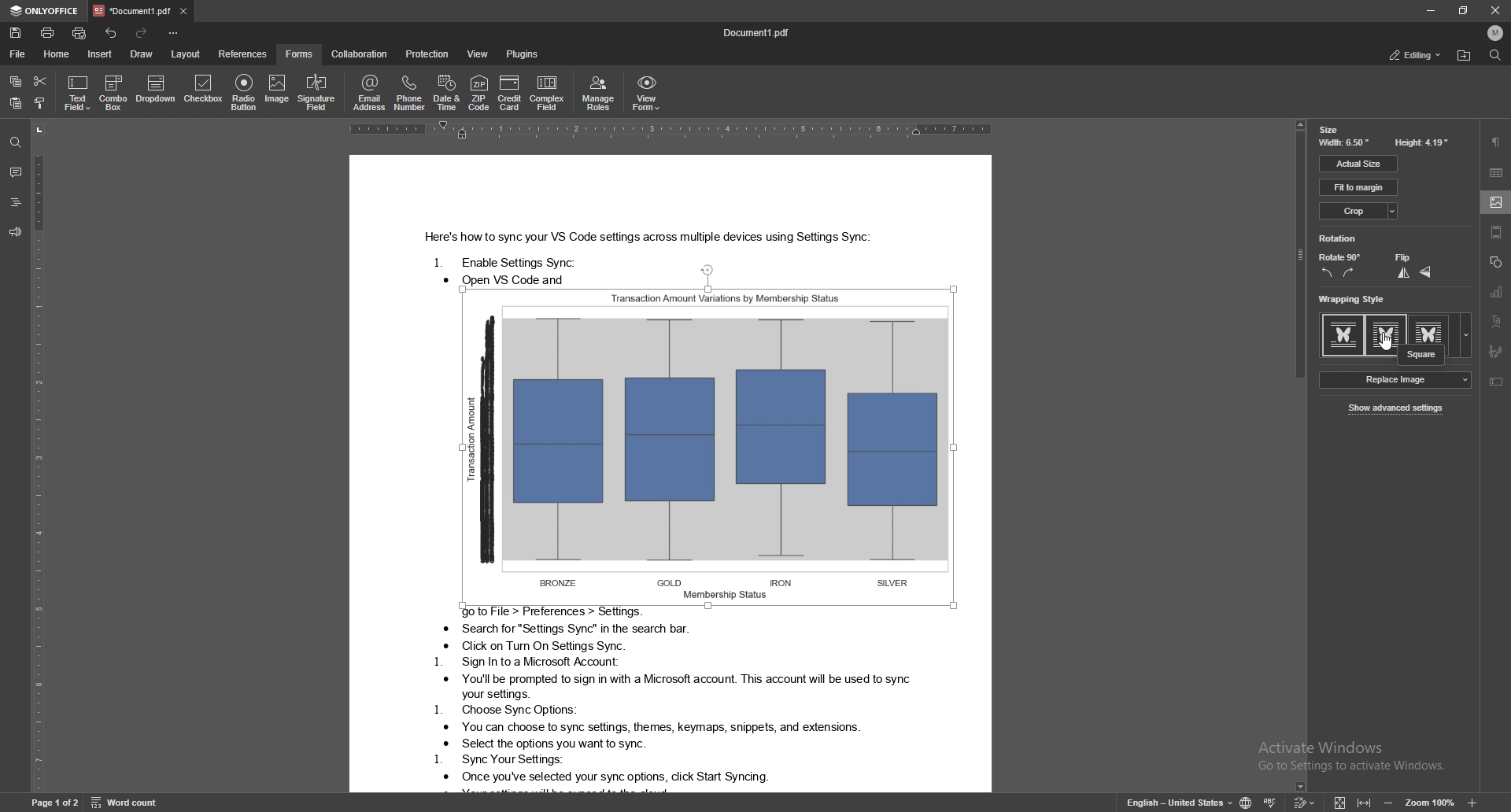 This screenshot has width=1511, height=812. Describe the element at coordinates (1496, 172) in the screenshot. I see `table` at that location.